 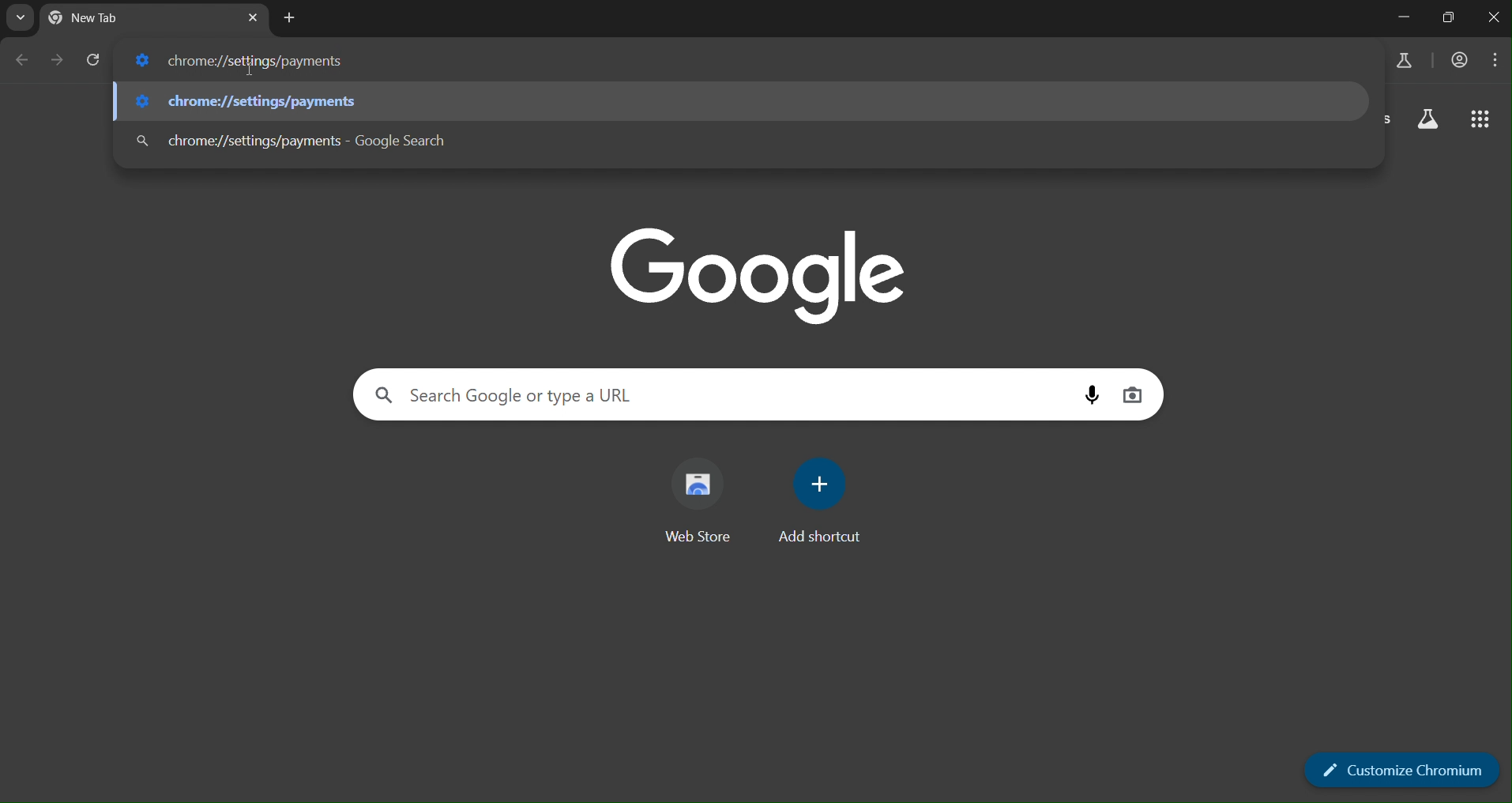 What do you see at coordinates (1497, 61) in the screenshot?
I see `menu` at bounding box center [1497, 61].